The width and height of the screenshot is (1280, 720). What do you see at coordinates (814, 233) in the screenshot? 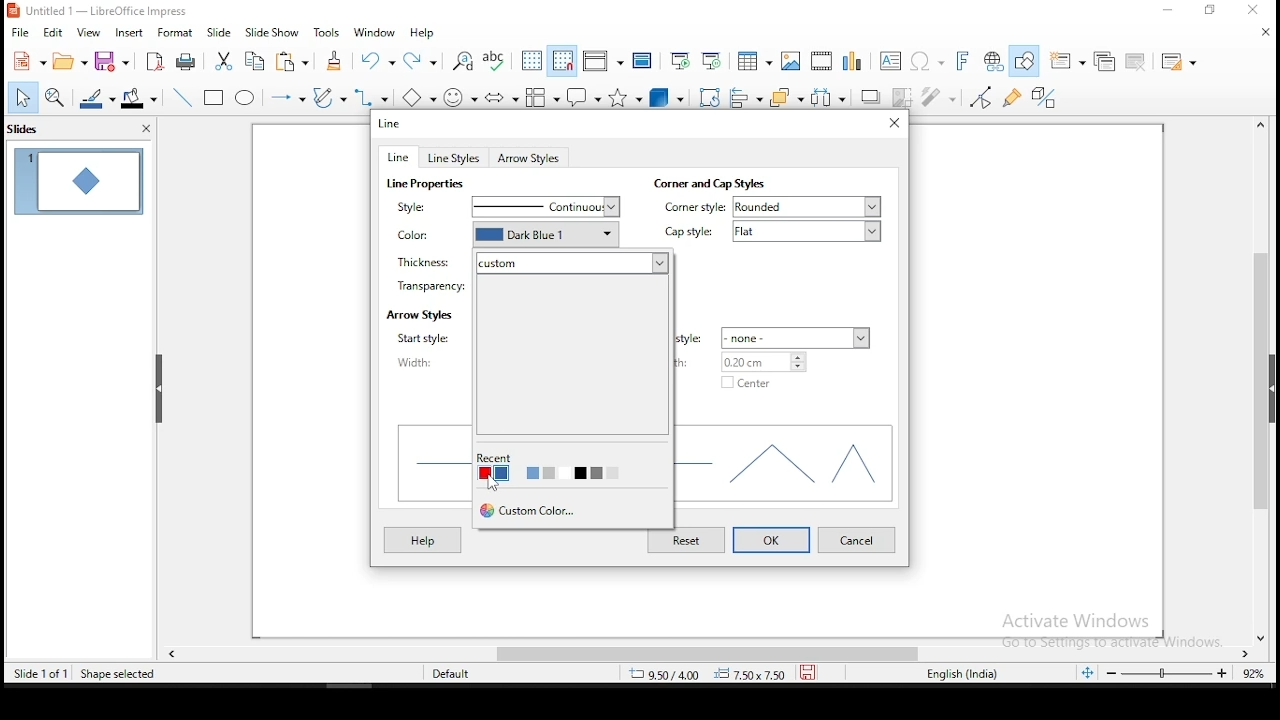
I see `flat` at bounding box center [814, 233].